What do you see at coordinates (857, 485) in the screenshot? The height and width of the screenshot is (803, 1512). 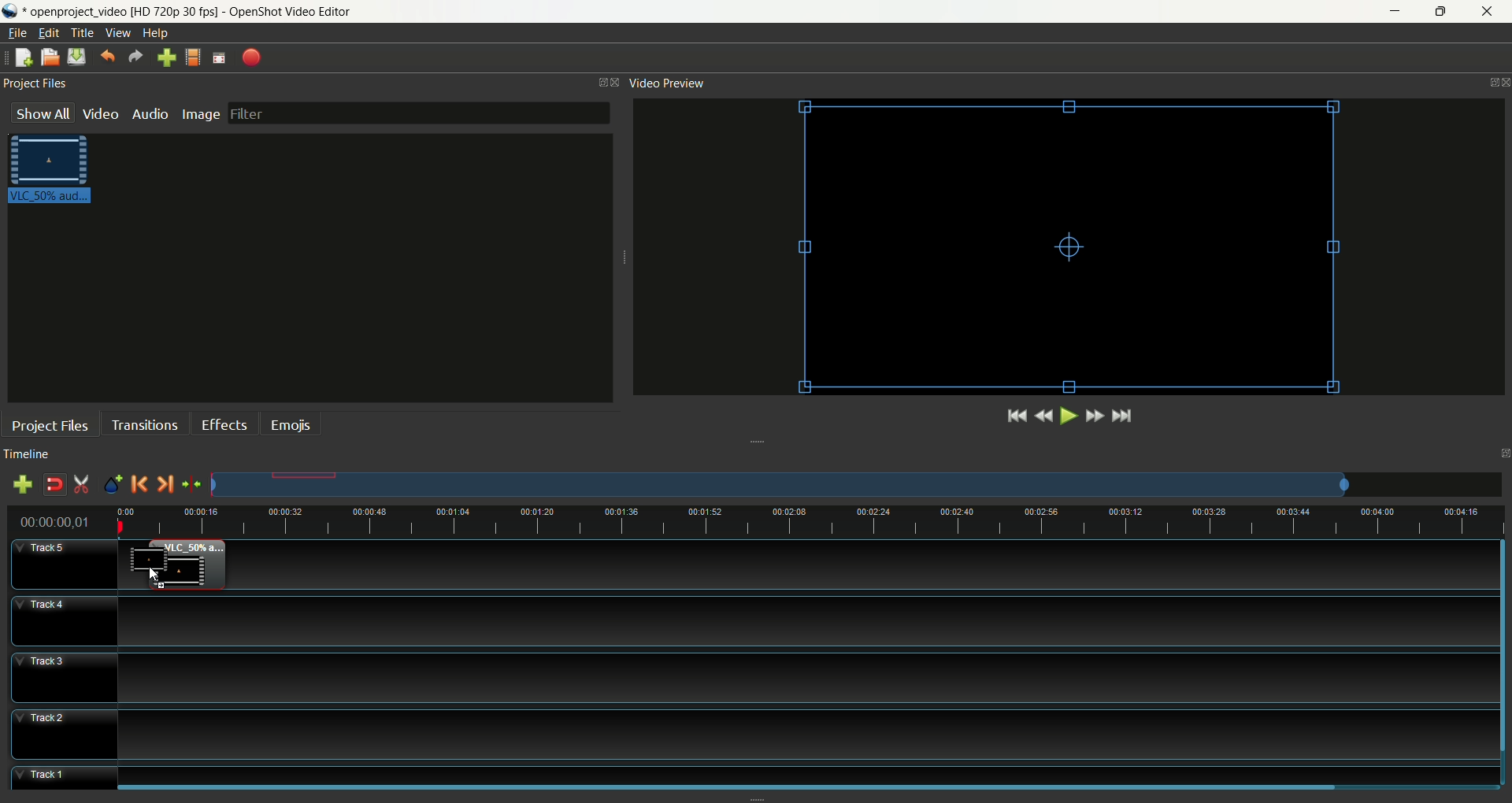 I see `zoom factor` at bounding box center [857, 485].